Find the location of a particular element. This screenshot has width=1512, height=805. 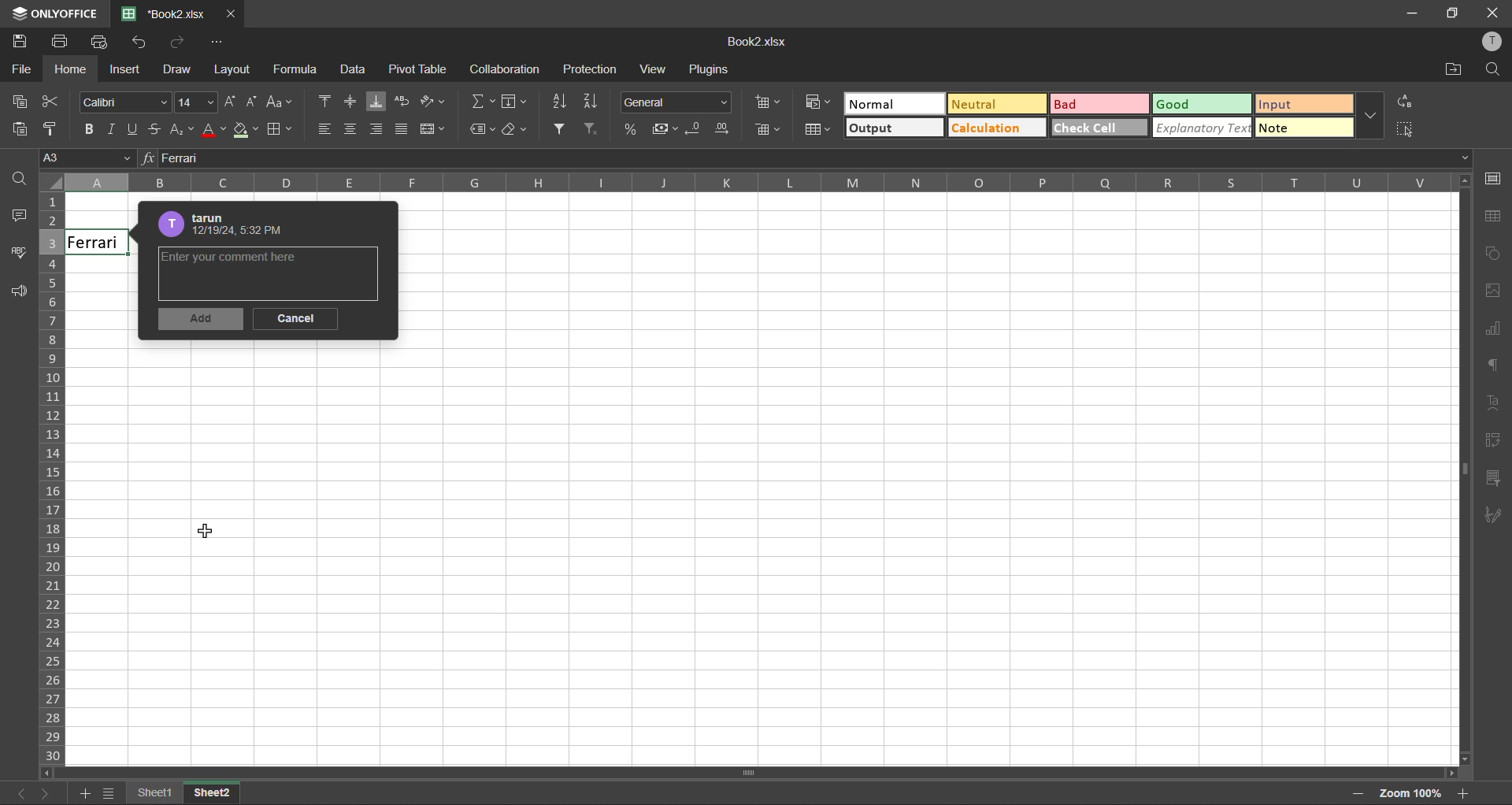

home is located at coordinates (73, 69).